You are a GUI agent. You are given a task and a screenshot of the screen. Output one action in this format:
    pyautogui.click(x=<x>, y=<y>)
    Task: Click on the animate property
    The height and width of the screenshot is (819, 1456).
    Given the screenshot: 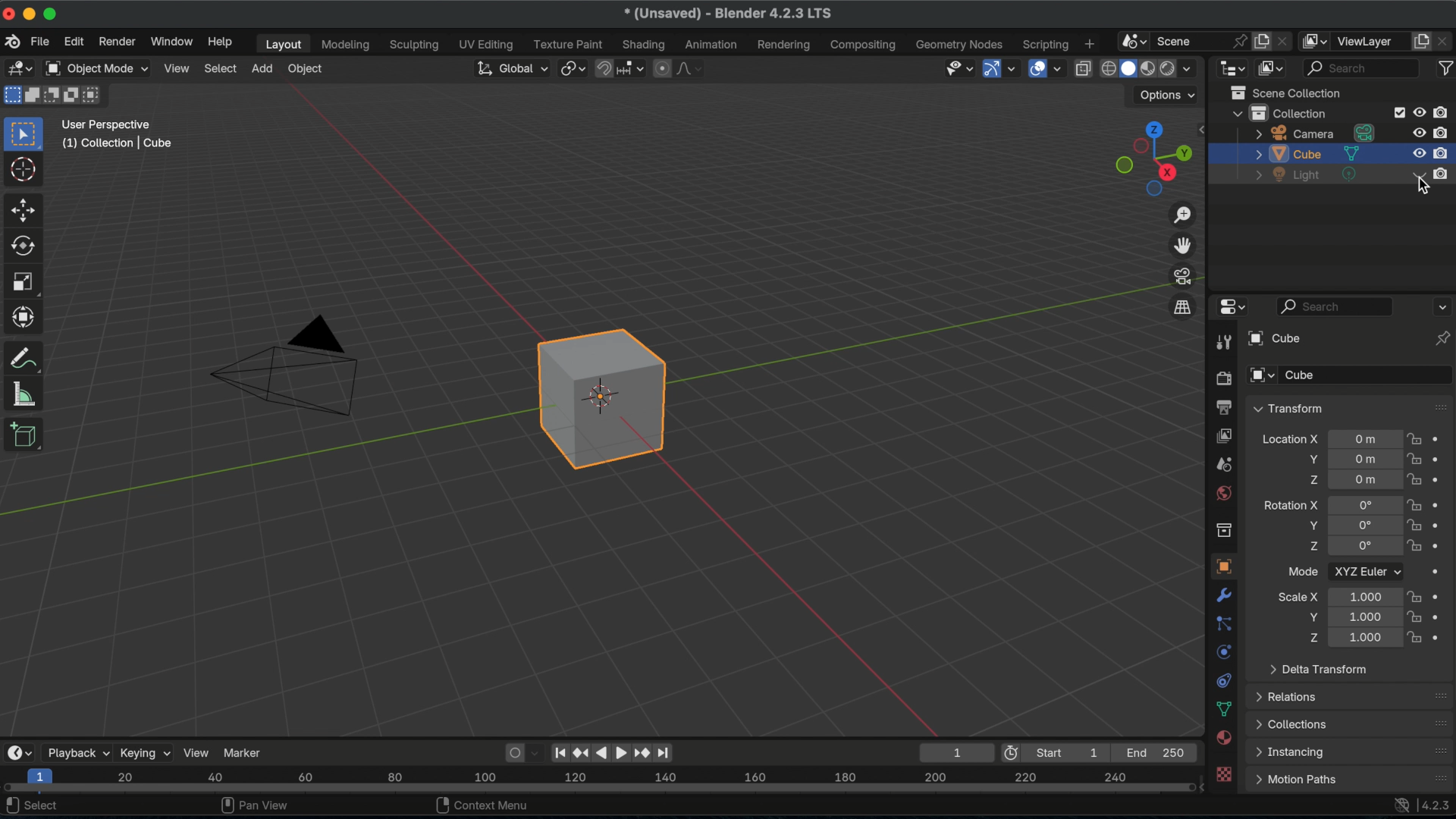 What is the action you would take?
    pyautogui.click(x=1441, y=595)
    